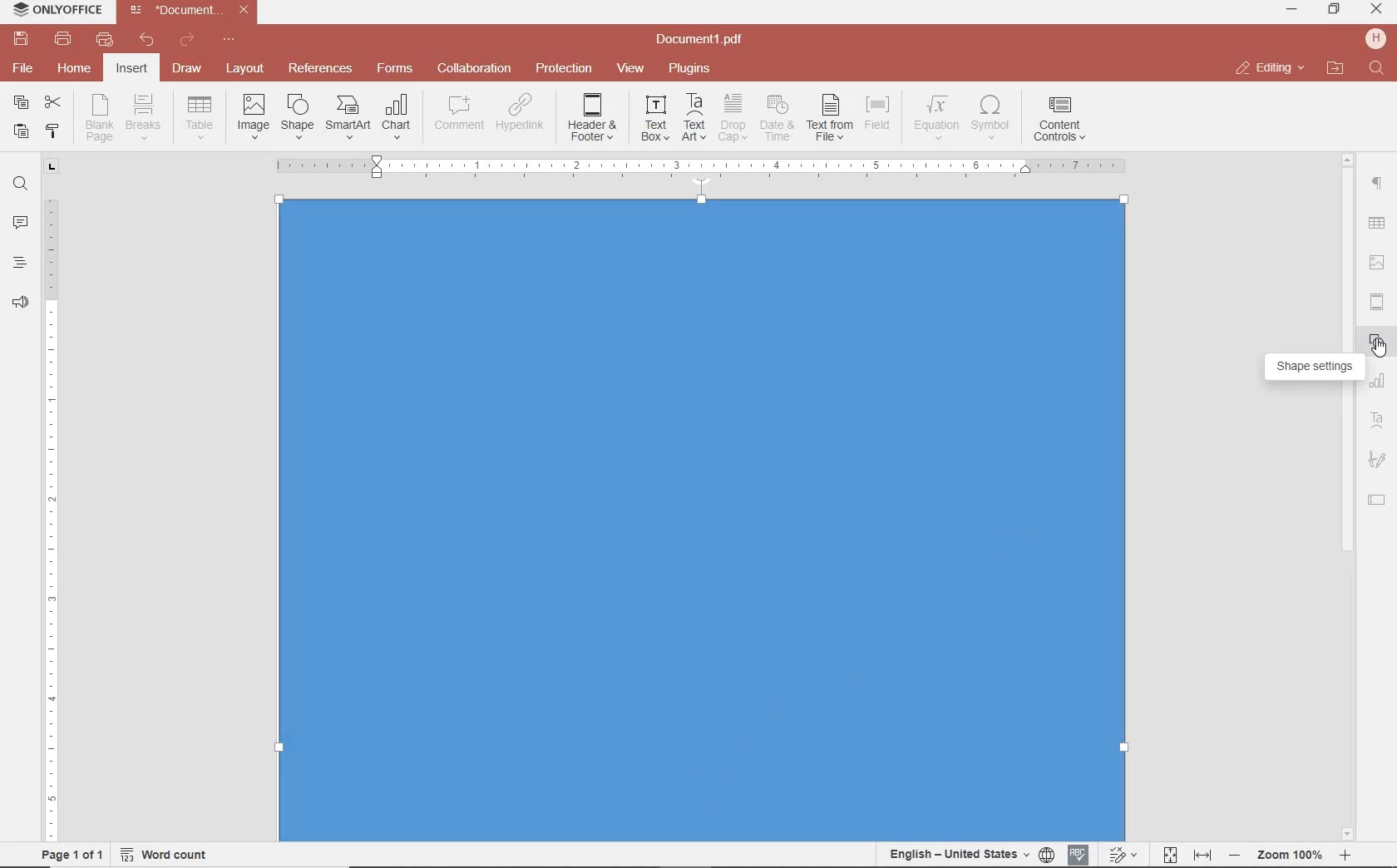 The width and height of the screenshot is (1397, 868). I want to click on home, so click(72, 67).